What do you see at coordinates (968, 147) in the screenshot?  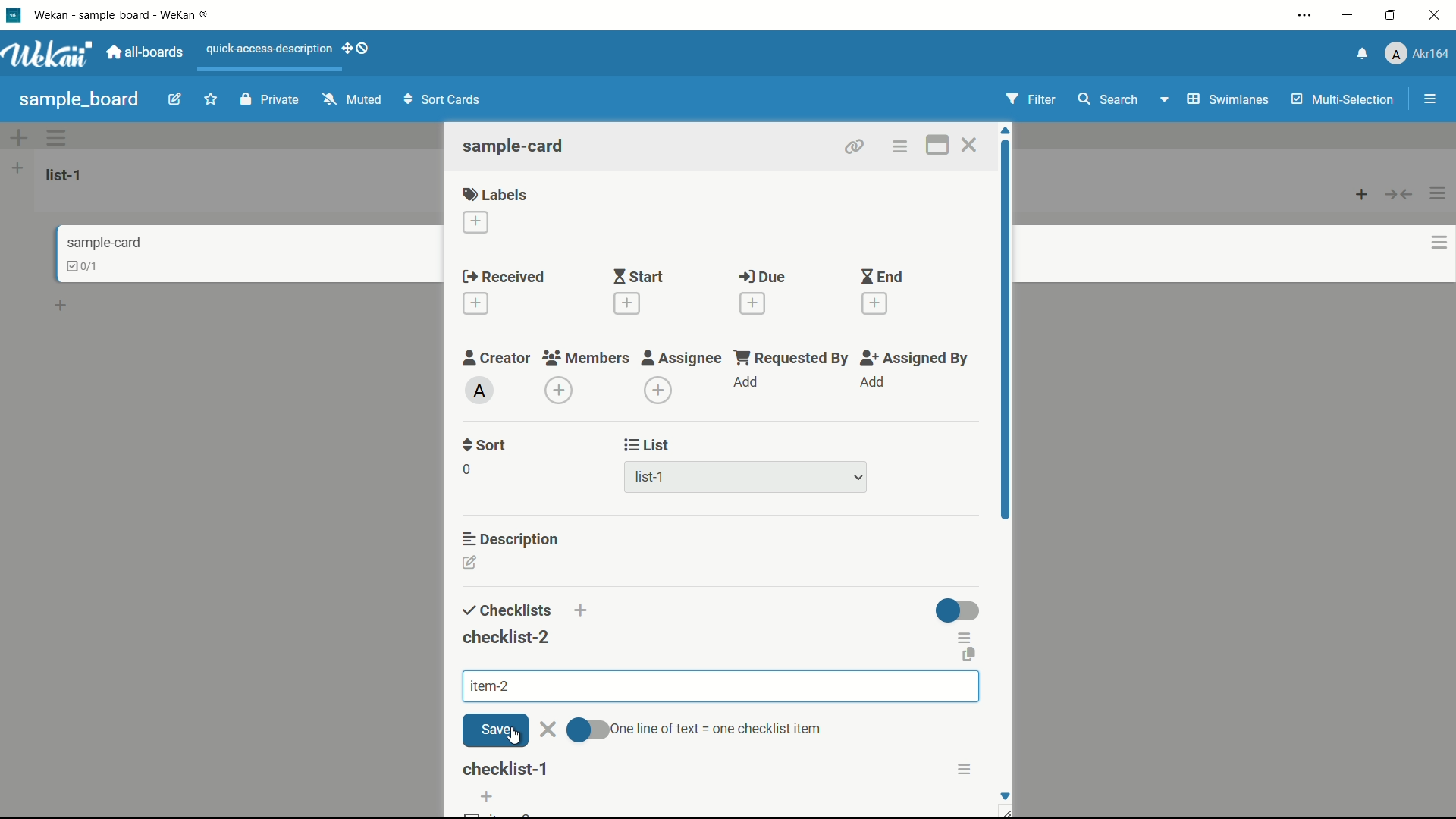 I see `close card` at bounding box center [968, 147].